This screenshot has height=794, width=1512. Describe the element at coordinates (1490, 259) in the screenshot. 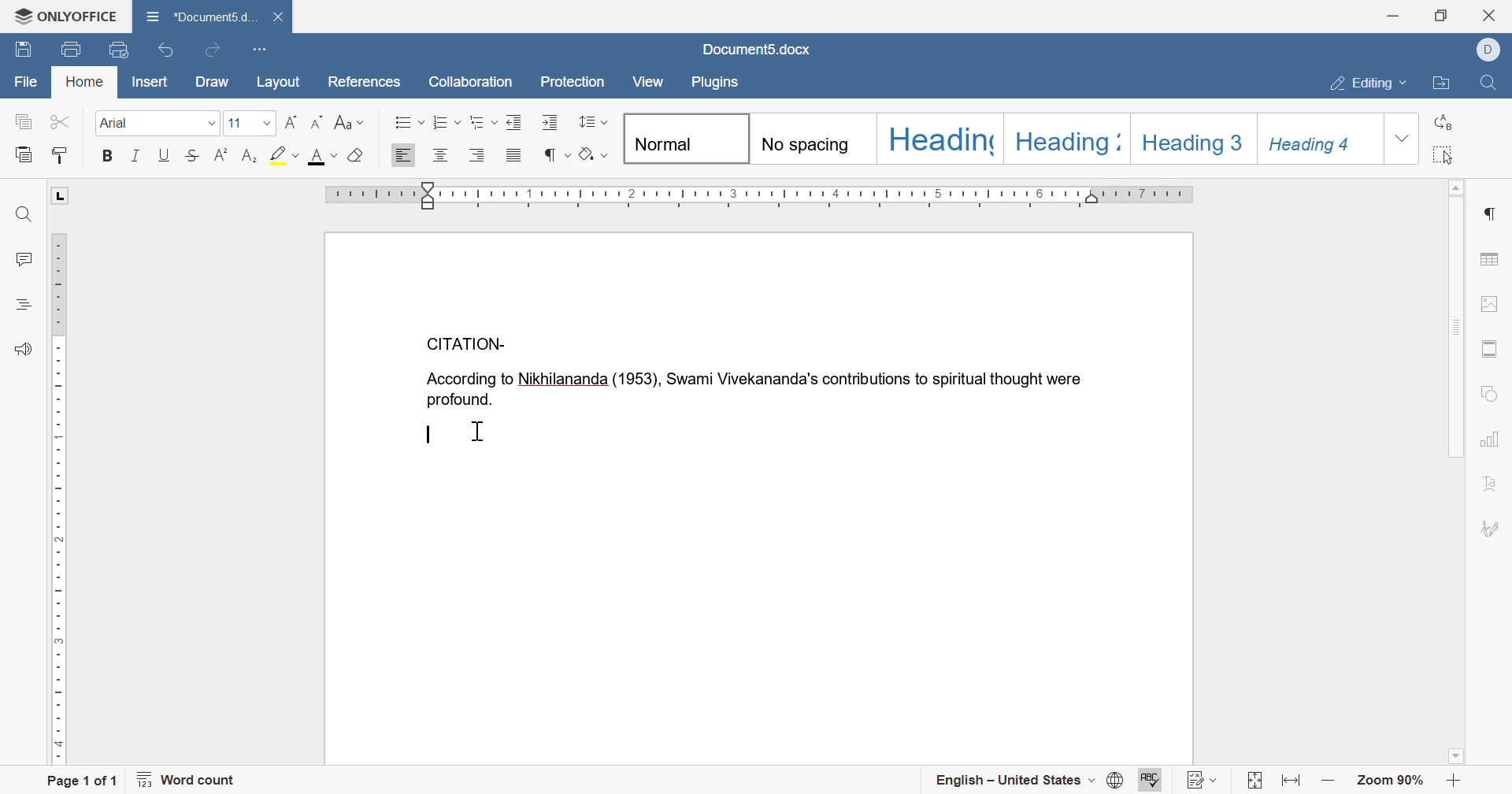

I see `table settings` at that location.